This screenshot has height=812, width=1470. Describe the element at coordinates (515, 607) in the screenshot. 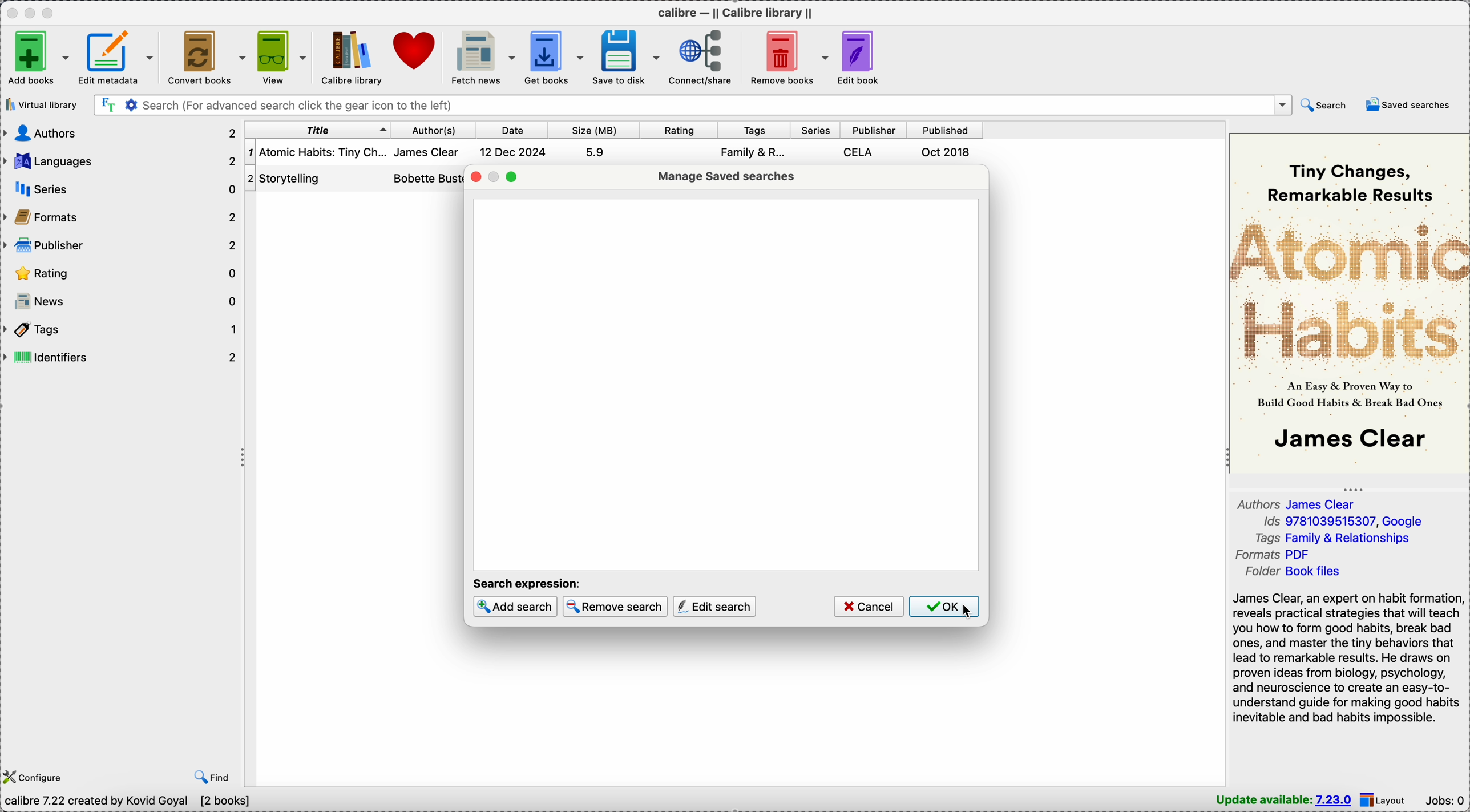

I see `add search` at that location.